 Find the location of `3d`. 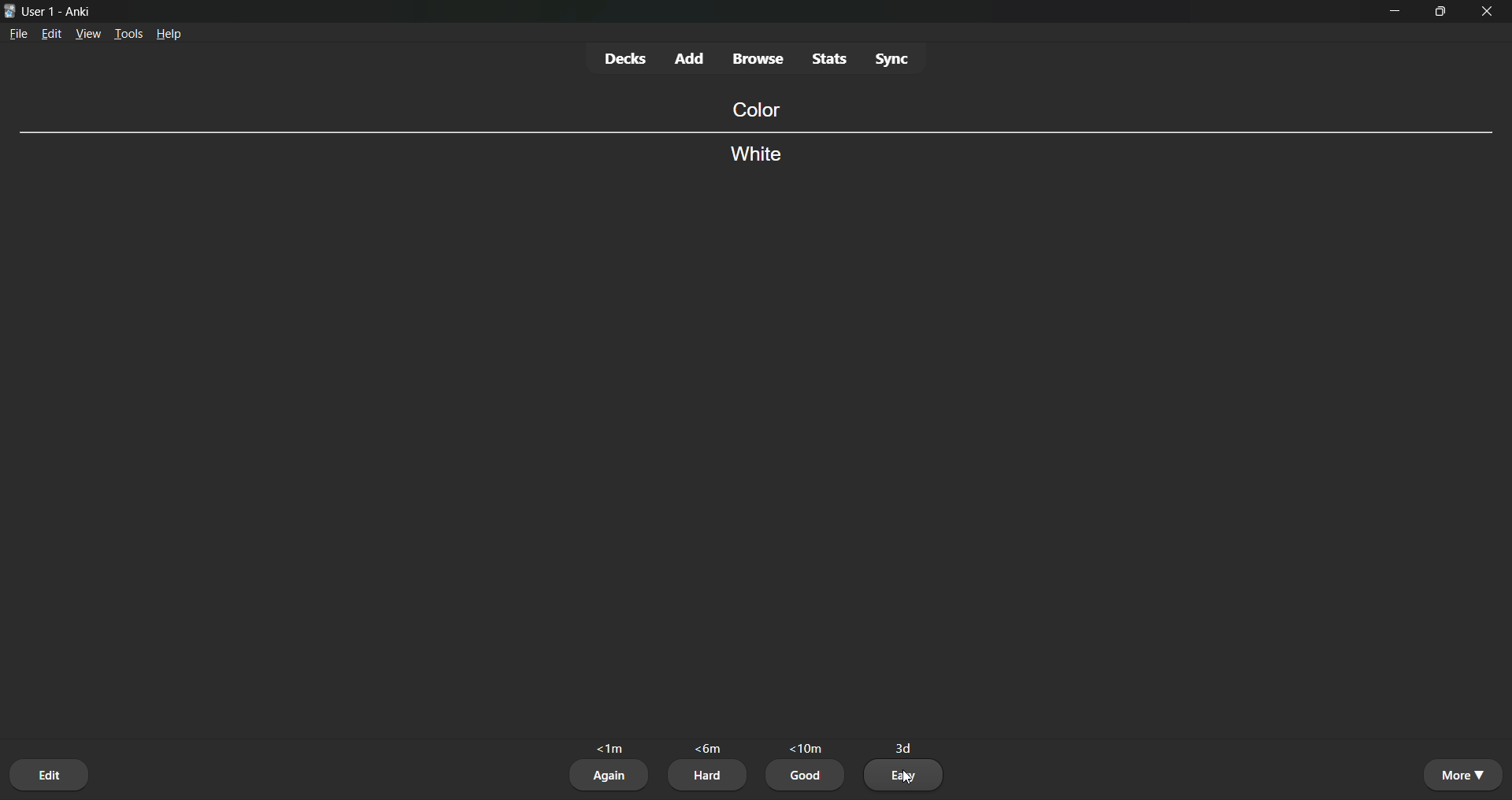

3d is located at coordinates (906, 743).